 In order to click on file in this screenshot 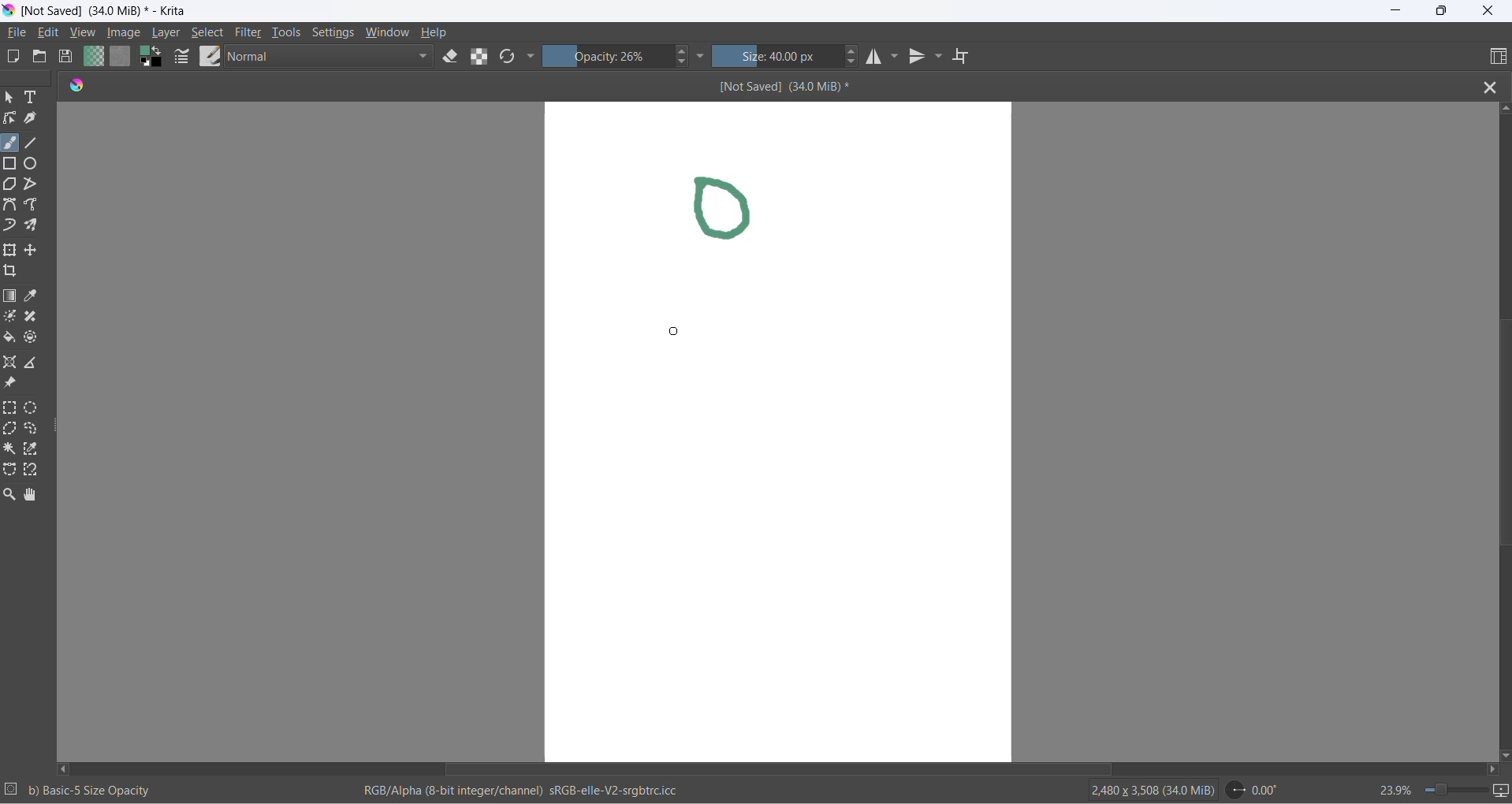, I will do `click(22, 34)`.